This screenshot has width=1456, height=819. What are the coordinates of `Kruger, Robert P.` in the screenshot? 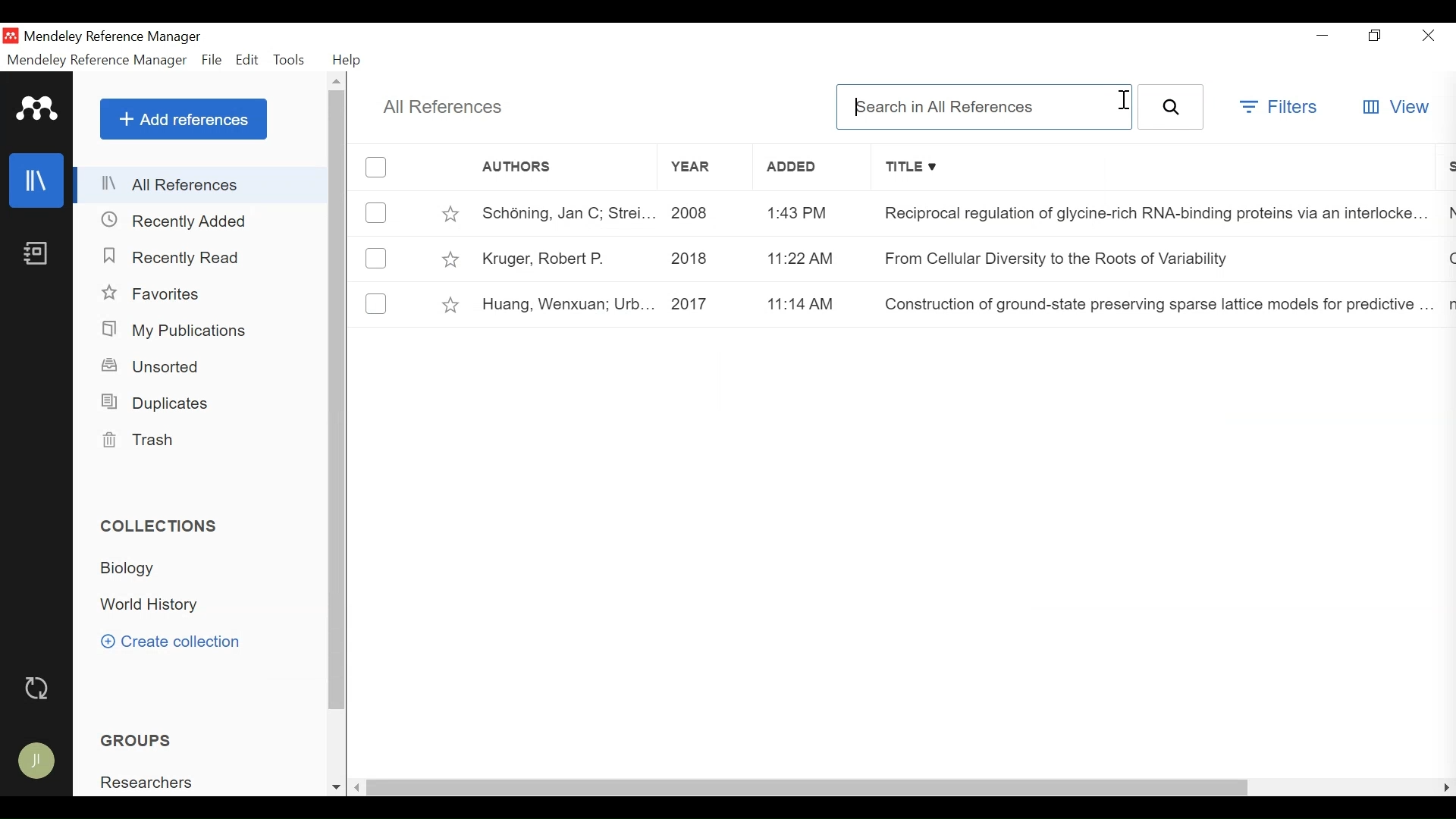 It's located at (563, 258).